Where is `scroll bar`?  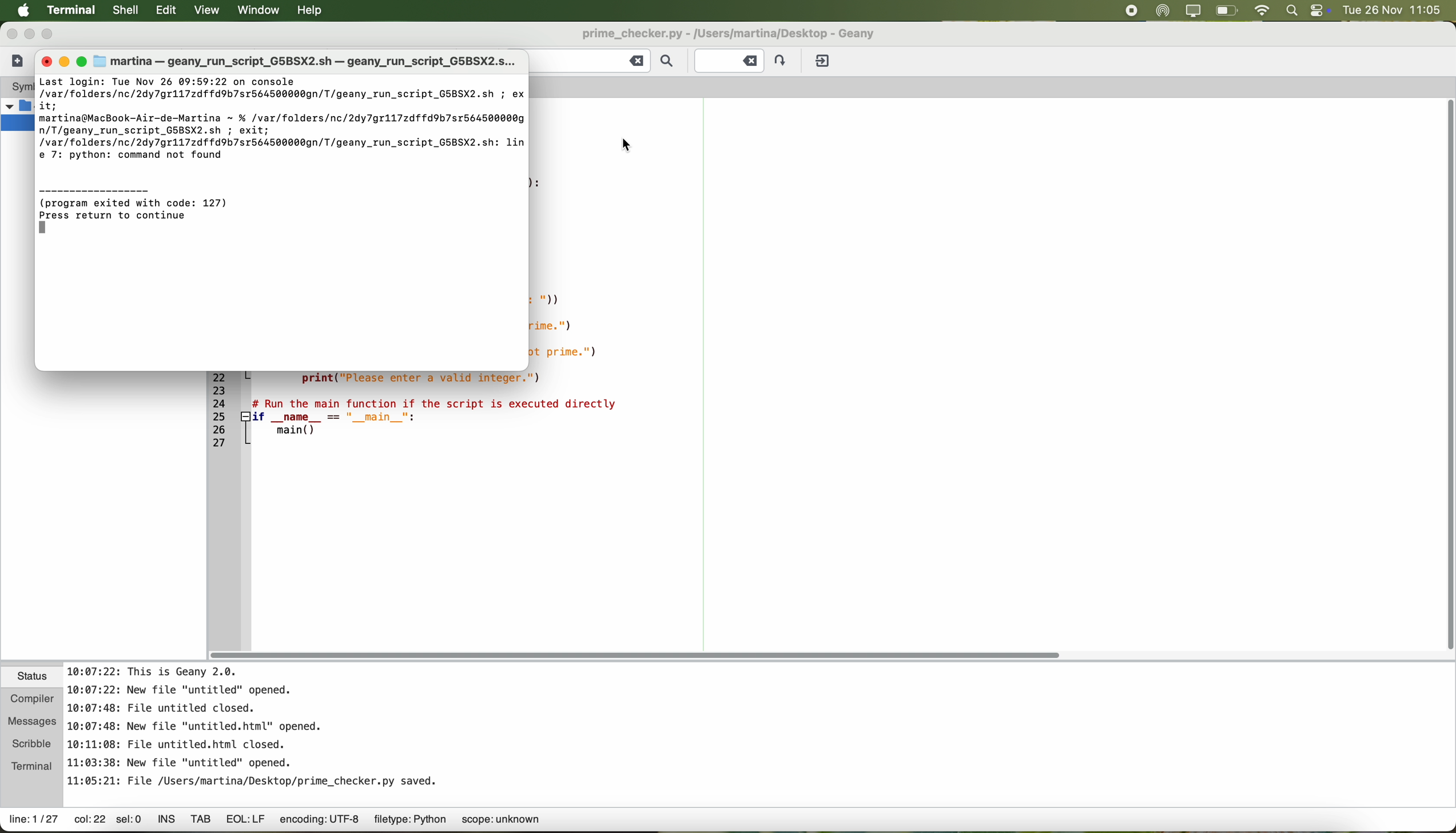 scroll bar is located at coordinates (1437, 375).